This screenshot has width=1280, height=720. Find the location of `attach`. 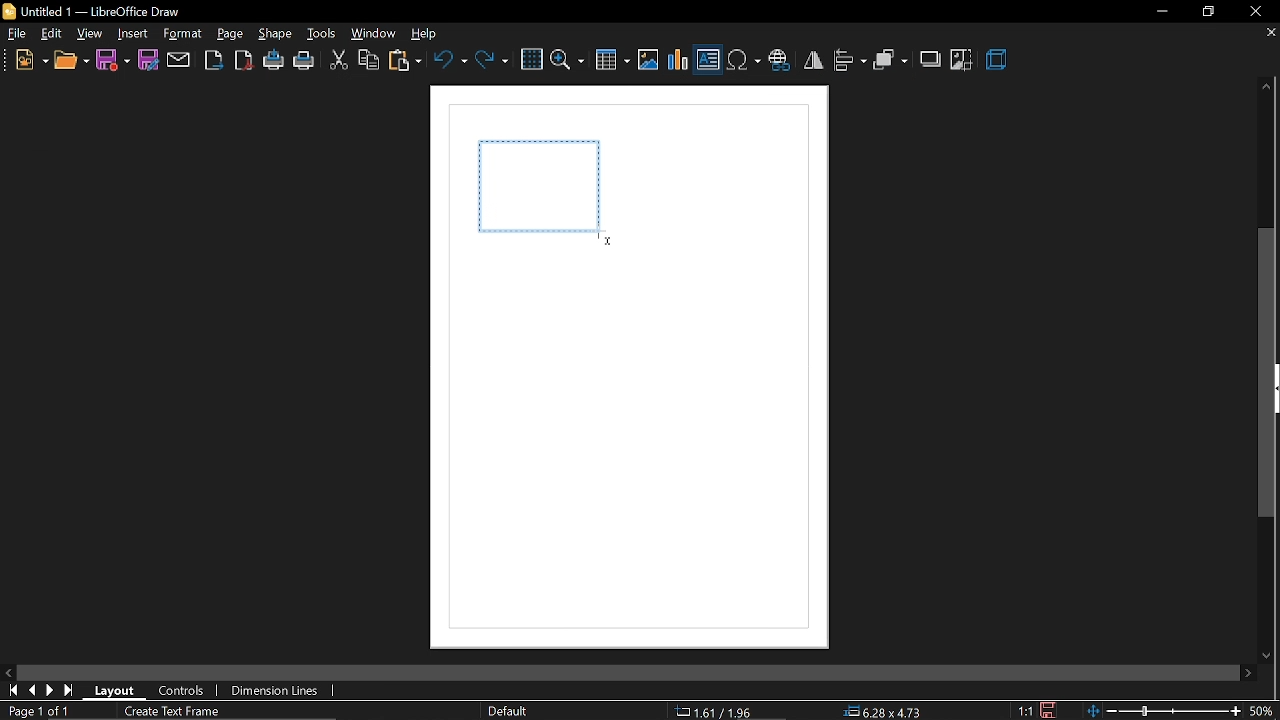

attach is located at coordinates (179, 60).